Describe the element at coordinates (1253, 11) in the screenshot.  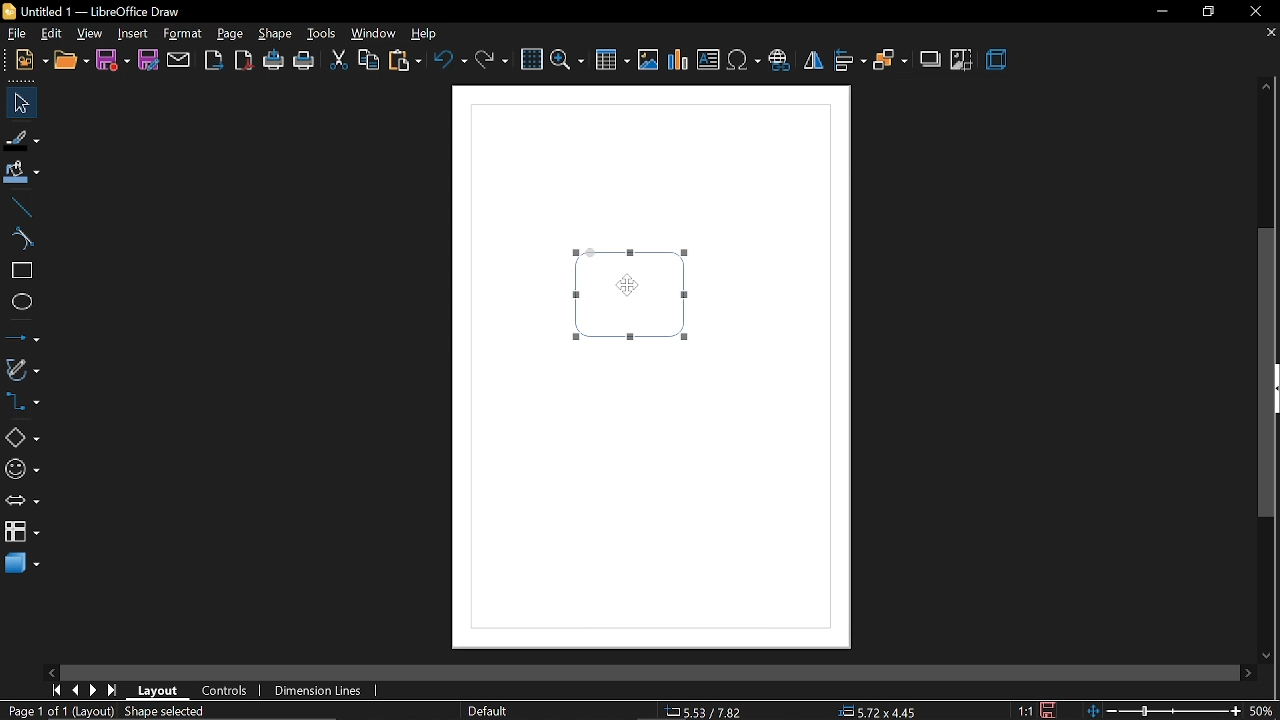
I see `close` at that location.